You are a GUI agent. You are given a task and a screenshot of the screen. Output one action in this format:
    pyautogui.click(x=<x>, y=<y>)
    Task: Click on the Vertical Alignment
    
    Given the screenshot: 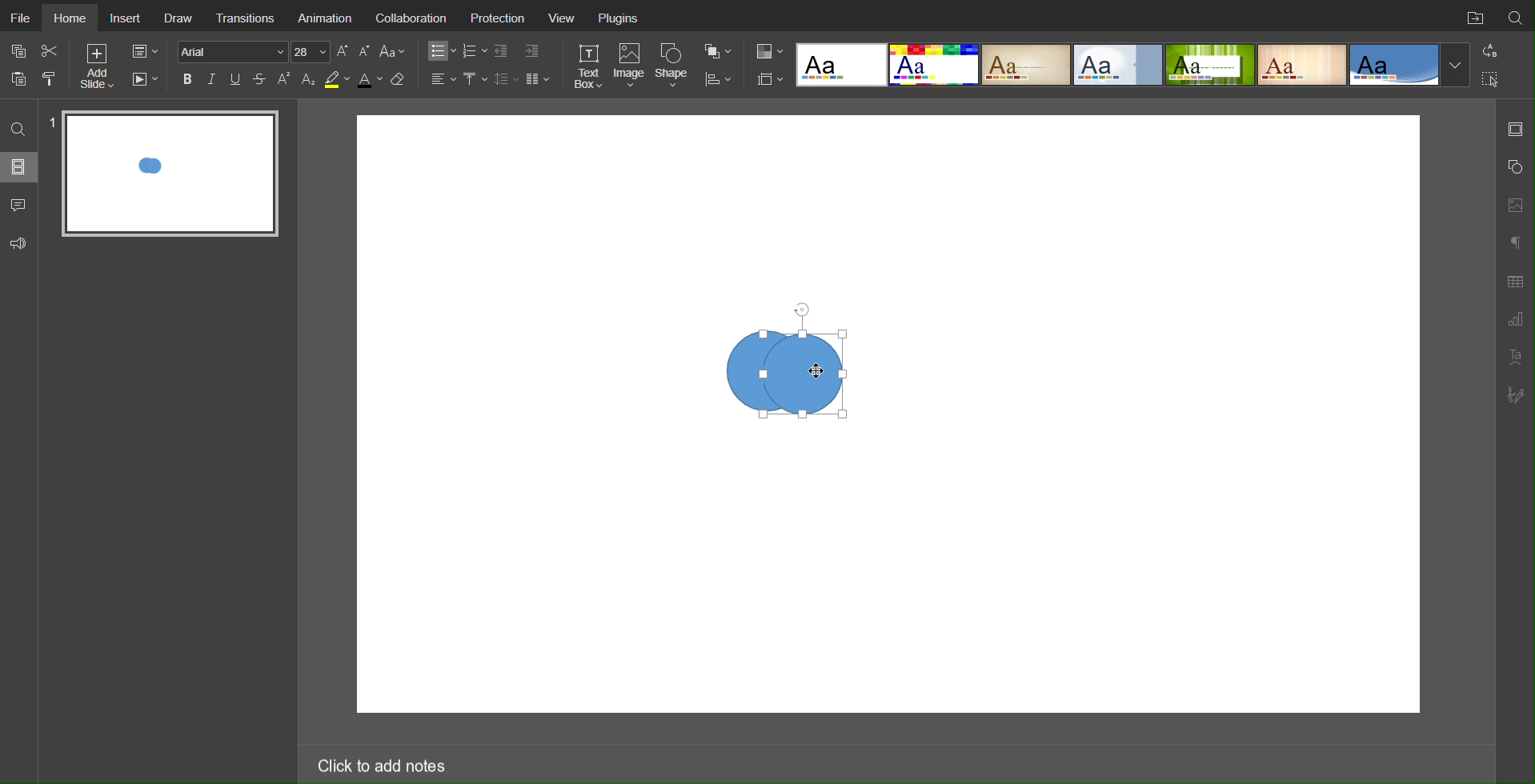 What is the action you would take?
    pyautogui.click(x=475, y=79)
    